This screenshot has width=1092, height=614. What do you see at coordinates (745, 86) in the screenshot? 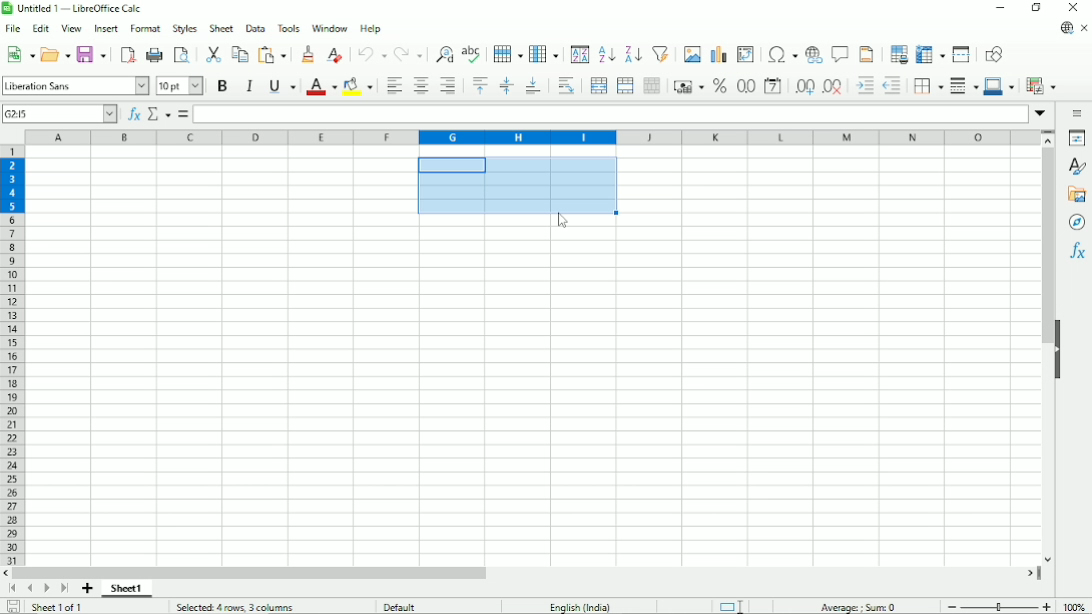
I see `format as number` at bounding box center [745, 86].